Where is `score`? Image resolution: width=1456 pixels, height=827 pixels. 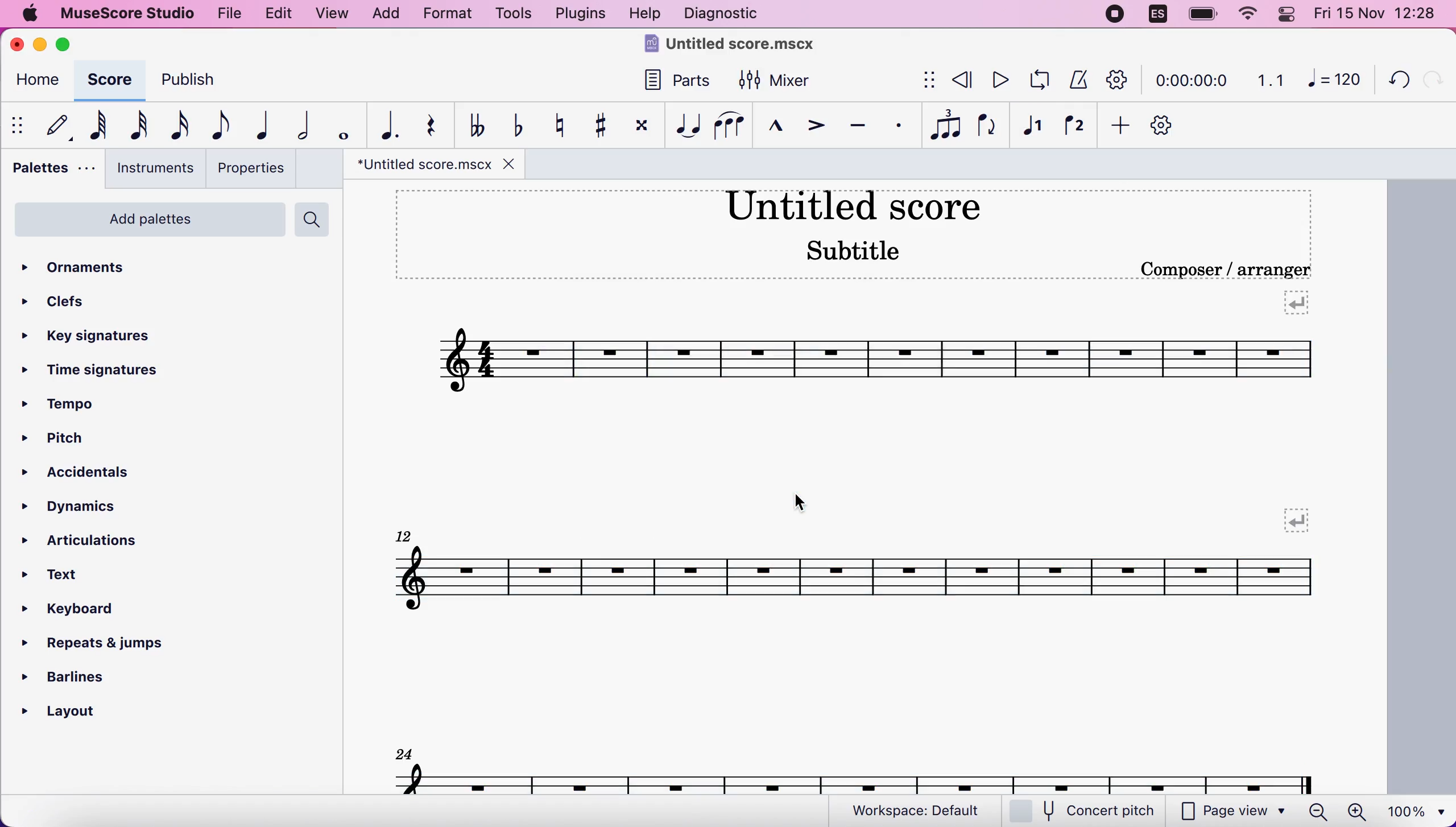
score is located at coordinates (855, 577).